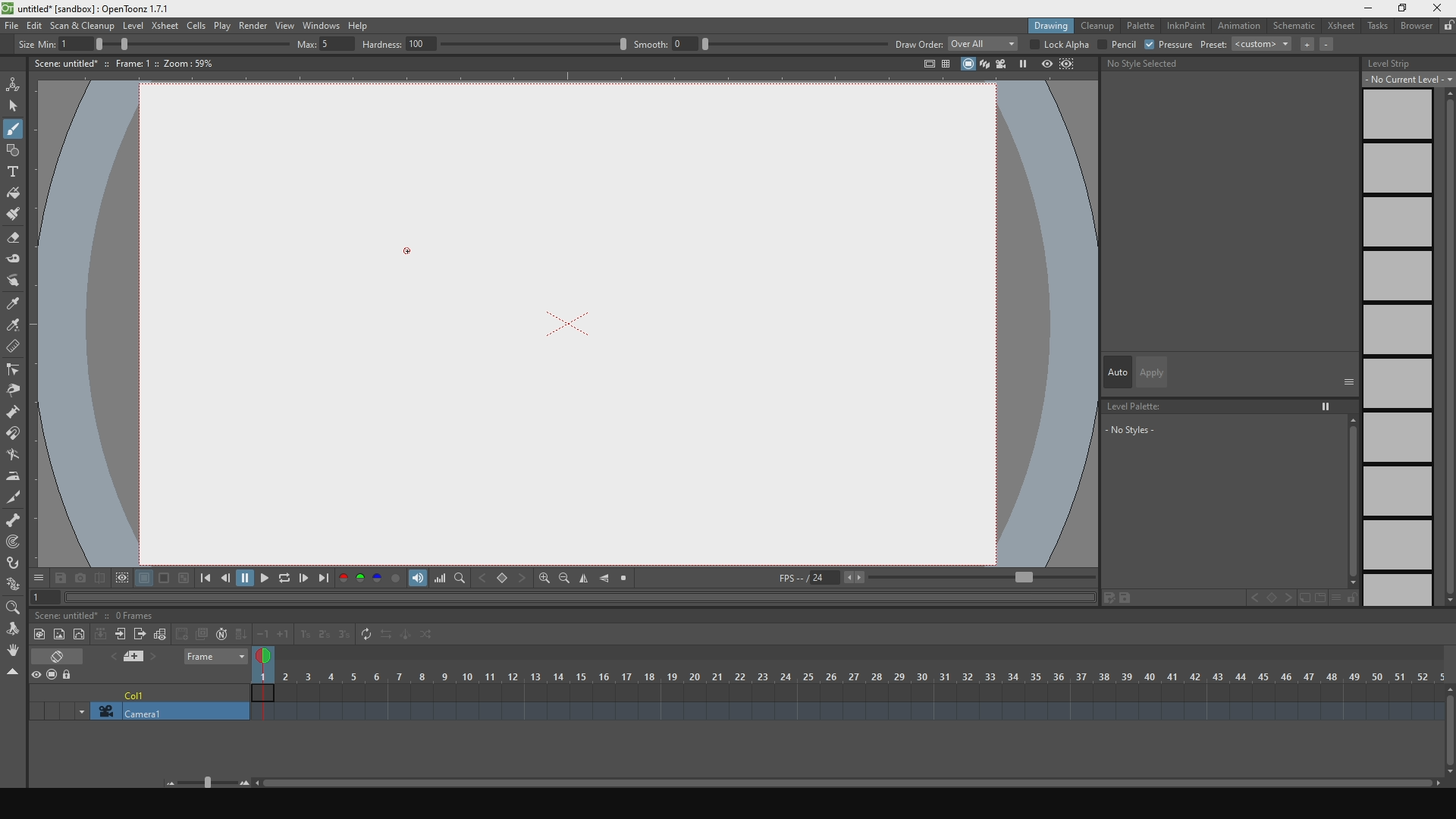  Describe the element at coordinates (946, 66) in the screenshot. I see `panels` at that location.